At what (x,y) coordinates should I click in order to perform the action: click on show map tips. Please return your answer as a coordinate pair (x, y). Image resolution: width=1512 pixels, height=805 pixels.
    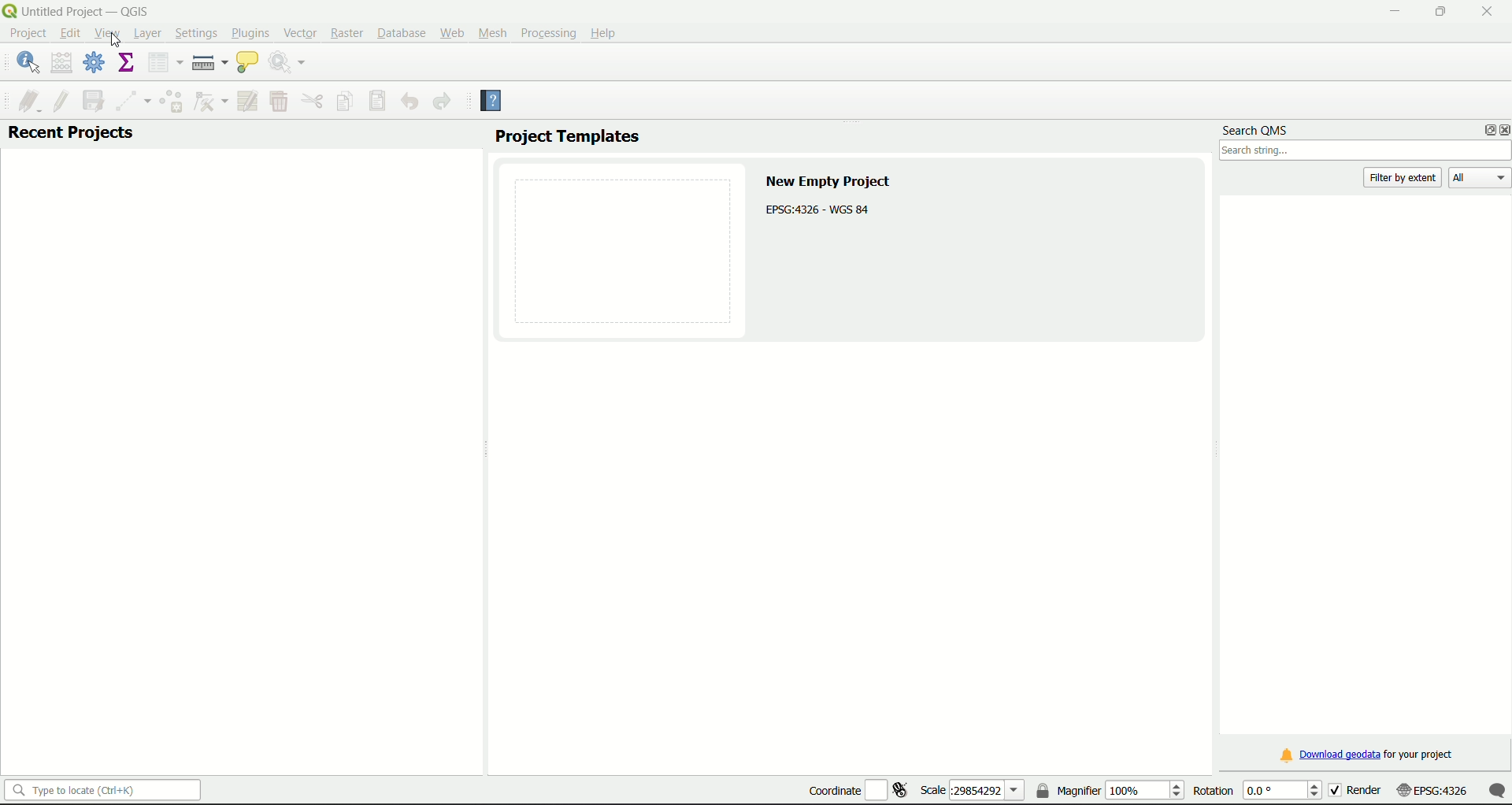
    Looking at the image, I should click on (247, 63).